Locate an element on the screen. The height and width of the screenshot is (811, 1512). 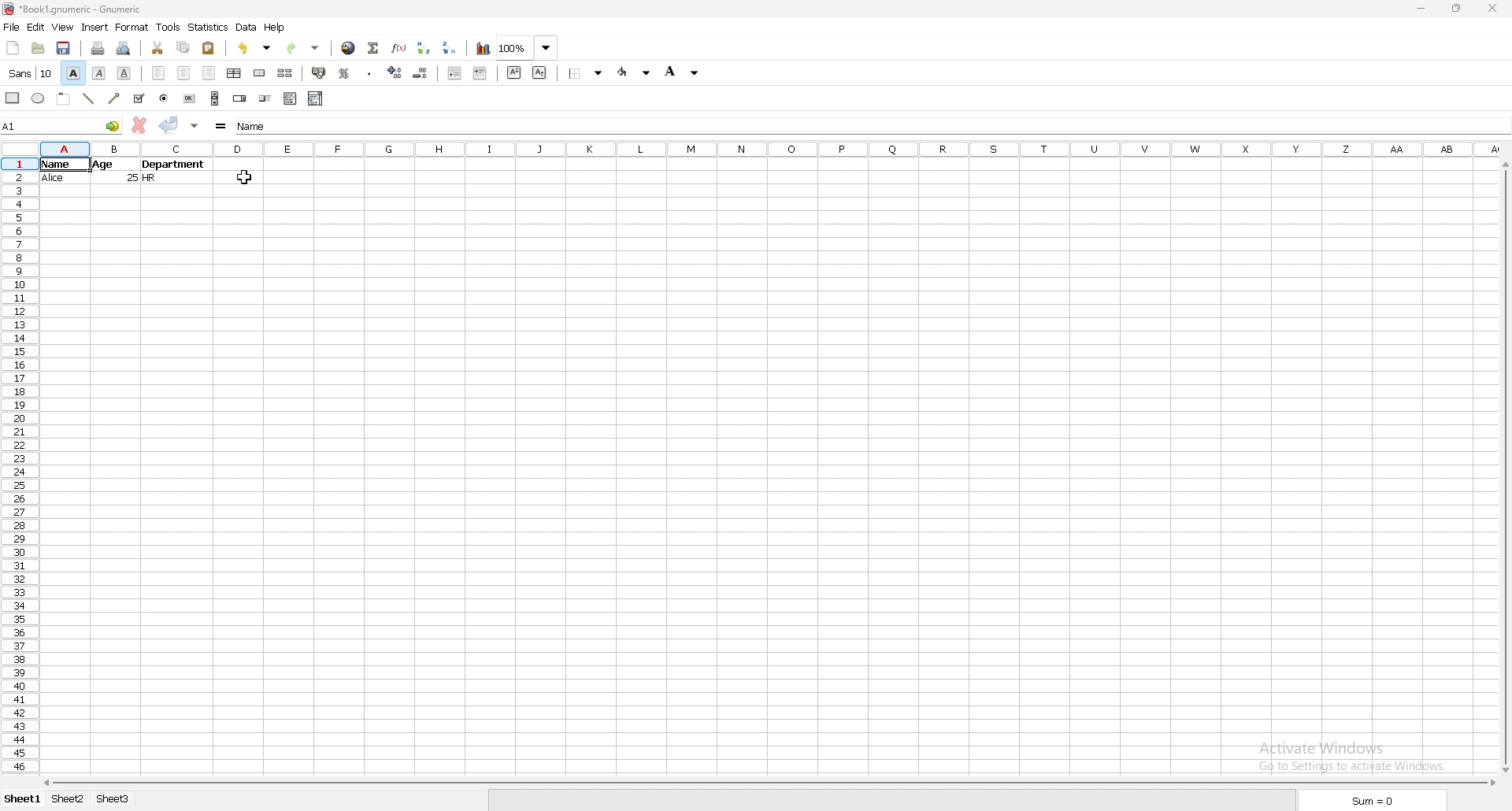
merge cells is located at coordinates (260, 74).